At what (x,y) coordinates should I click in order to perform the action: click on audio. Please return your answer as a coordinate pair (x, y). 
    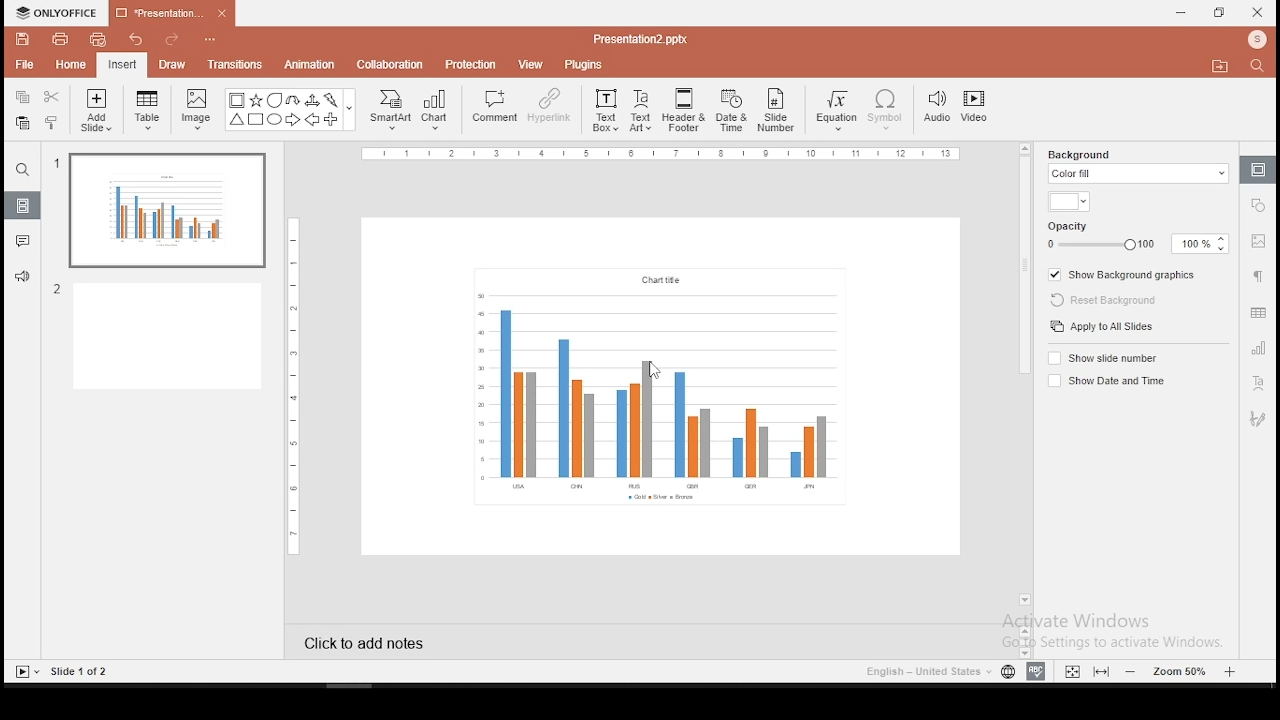
    Looking at the image, I should click on (937, 107).